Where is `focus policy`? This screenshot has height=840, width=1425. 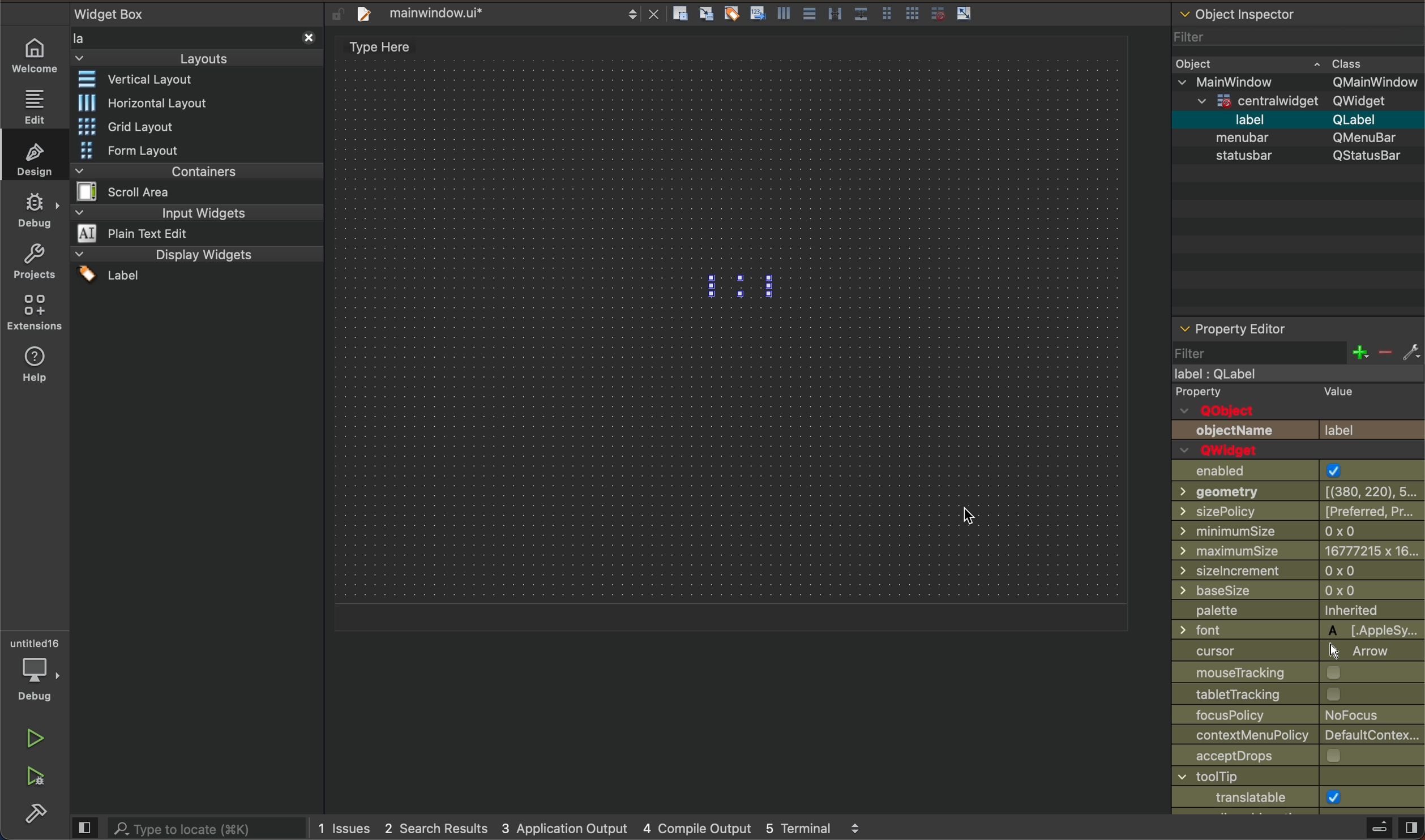 focus policy is located at coordinates (1299, 716).